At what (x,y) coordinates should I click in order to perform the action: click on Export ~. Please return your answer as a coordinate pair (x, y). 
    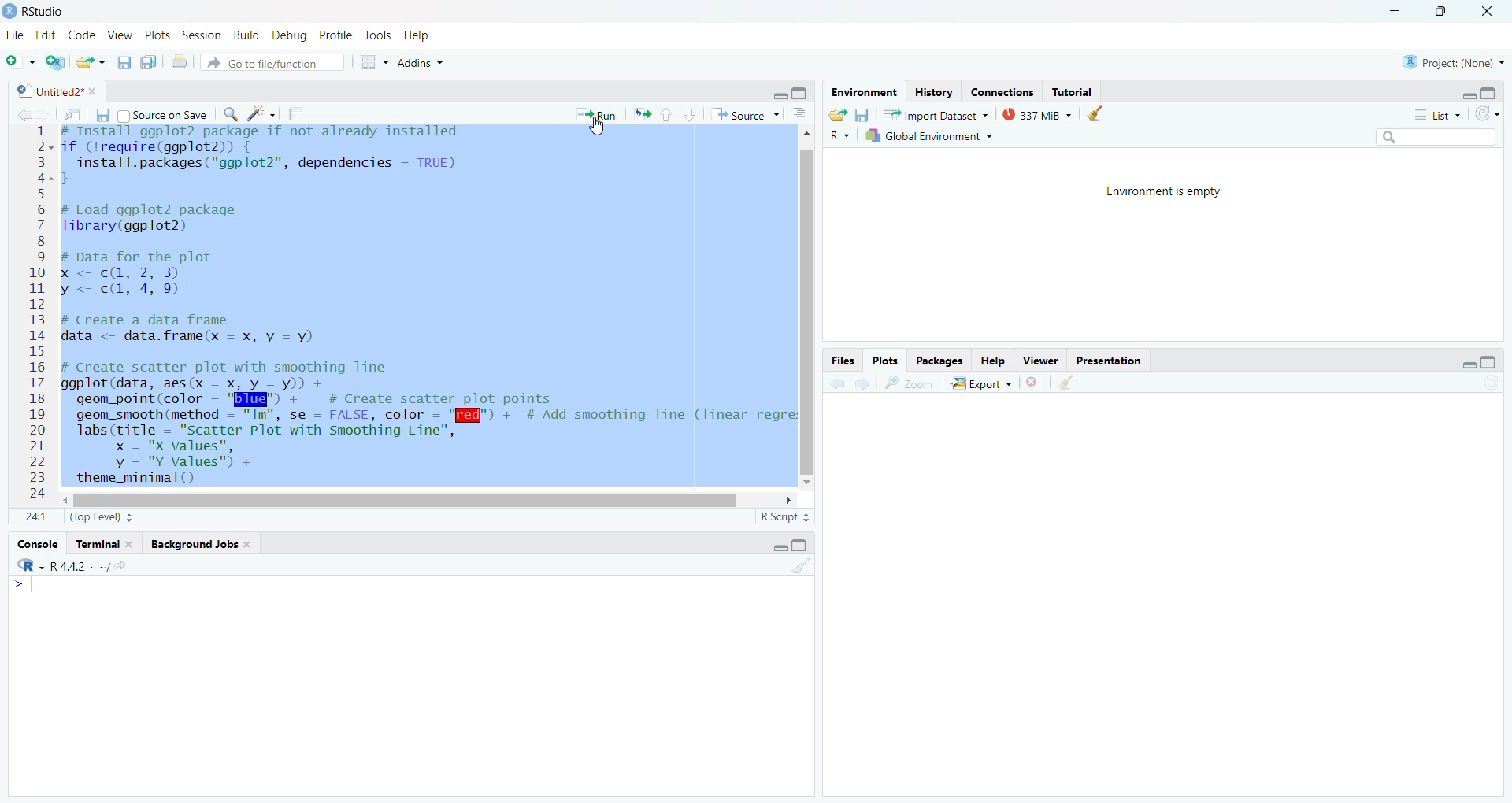
    Looking at the image, I should click on (984, 386).